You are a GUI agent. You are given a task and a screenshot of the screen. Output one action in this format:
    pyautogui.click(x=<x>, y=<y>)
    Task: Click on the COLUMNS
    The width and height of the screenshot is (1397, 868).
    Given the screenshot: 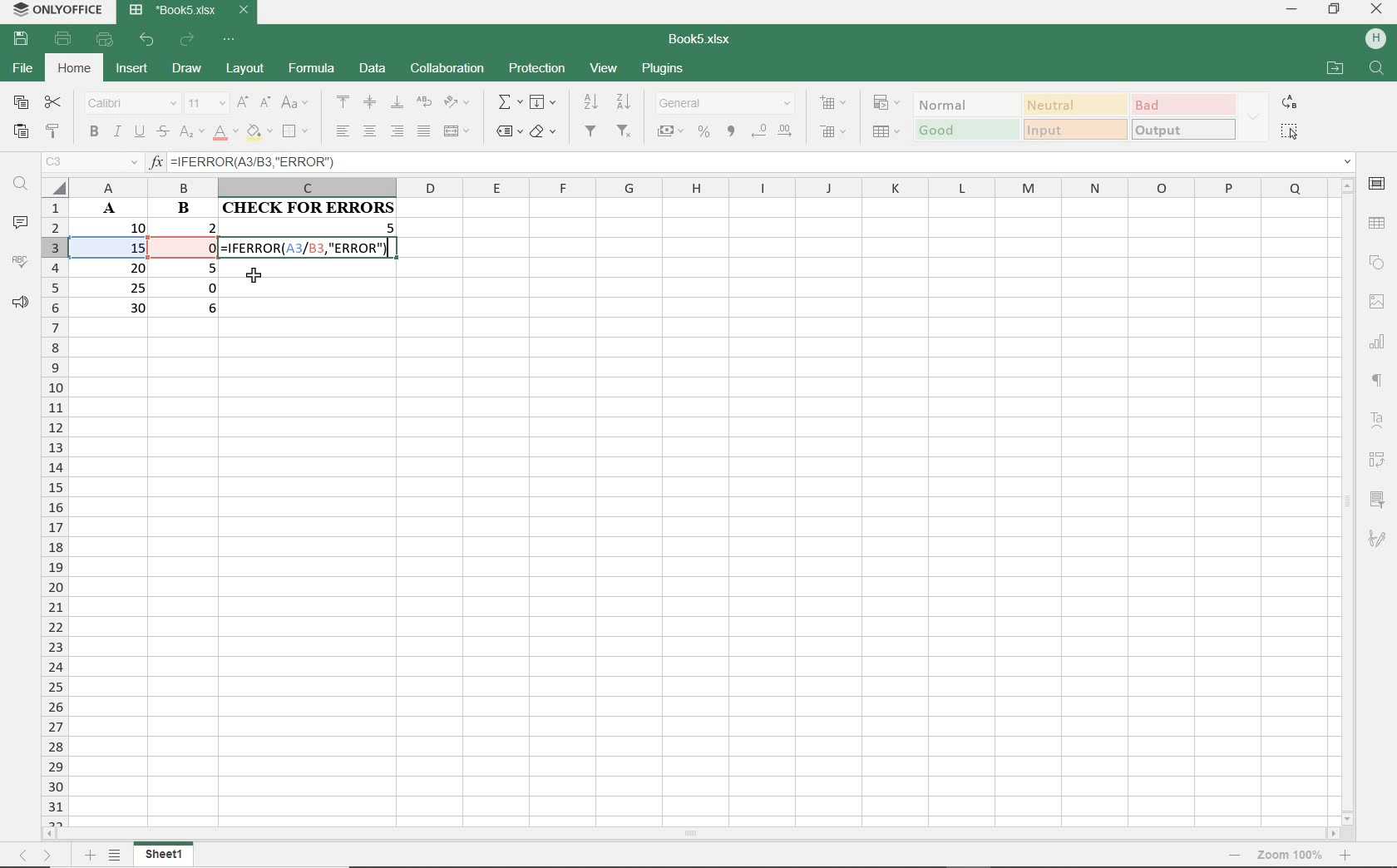 What is the action you would take?
    pyautogui.click(x=698, y=188)
    